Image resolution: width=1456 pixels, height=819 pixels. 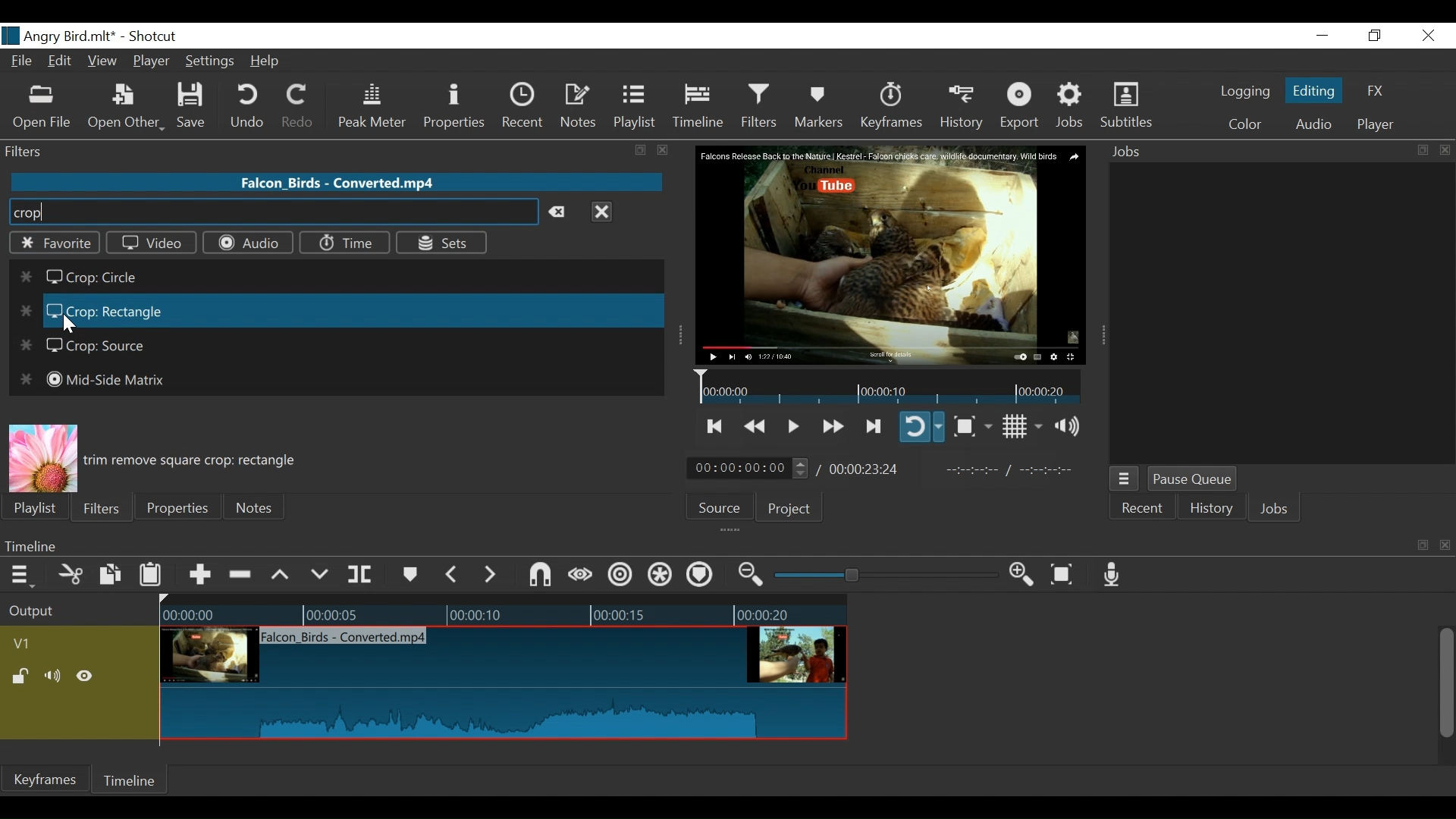 What do you see at coordinates (1071, 106) in the screenshot?
I see `Jobs` at bounding box center [1071, 106].